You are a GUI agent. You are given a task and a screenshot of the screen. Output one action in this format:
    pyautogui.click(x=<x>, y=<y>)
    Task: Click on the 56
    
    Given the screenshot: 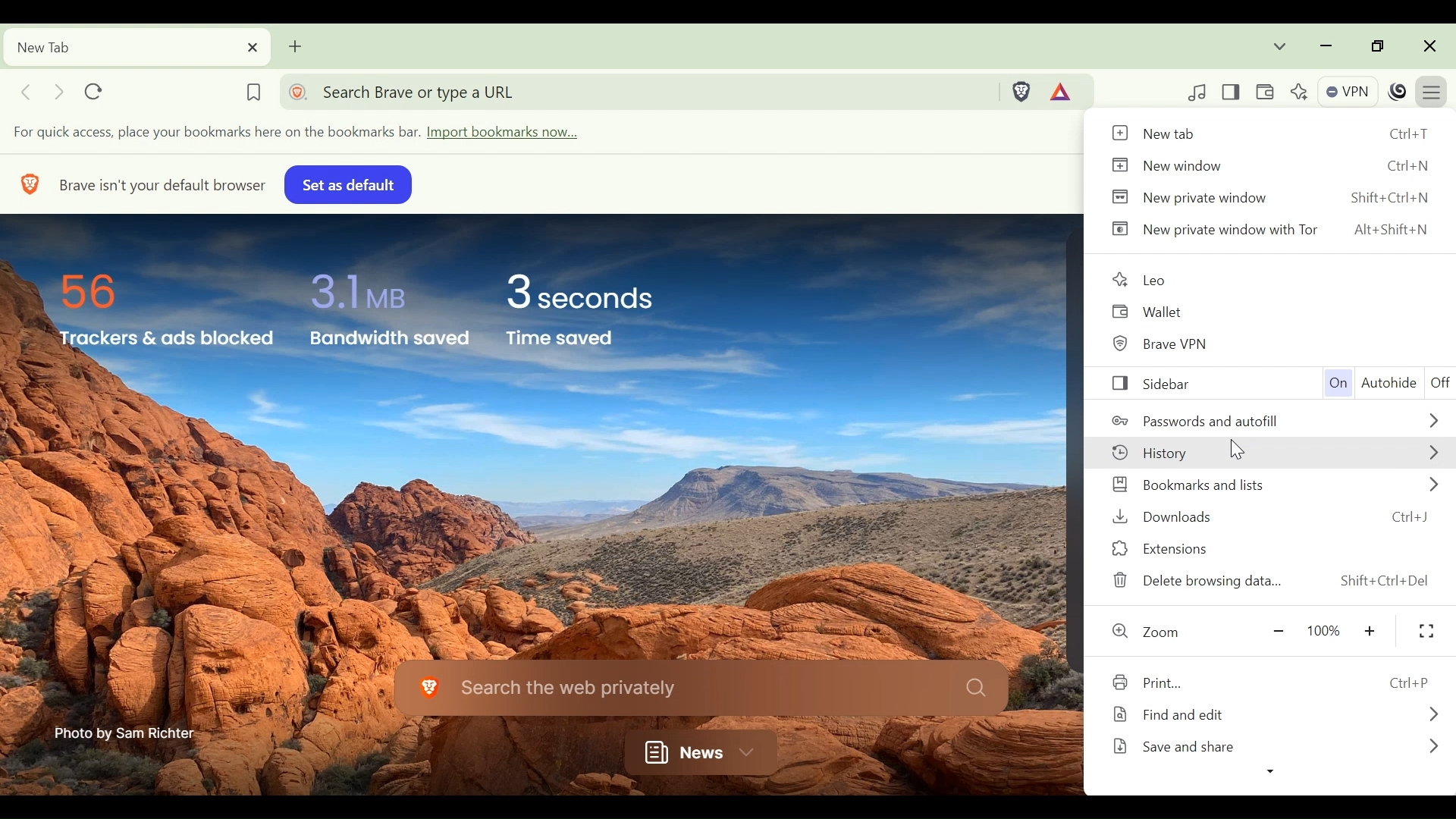 What is the action you would take?
    pyautogui.click(x=96, y=288)
    